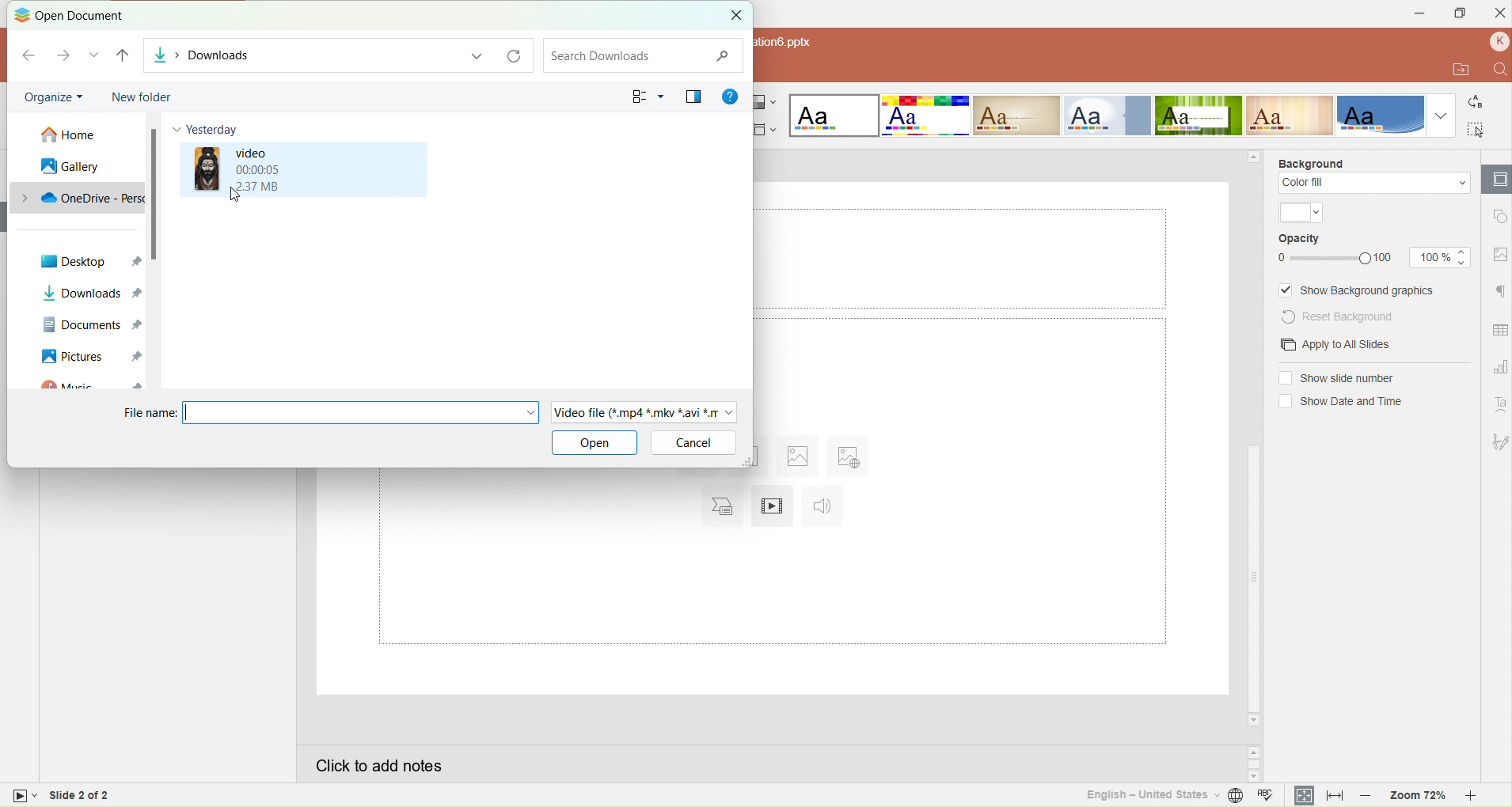 The width and height of the screenshot is (1512, 807). Describe the element at coordinates (236, 195) in the screenshot. I see `Cursor` at that location.